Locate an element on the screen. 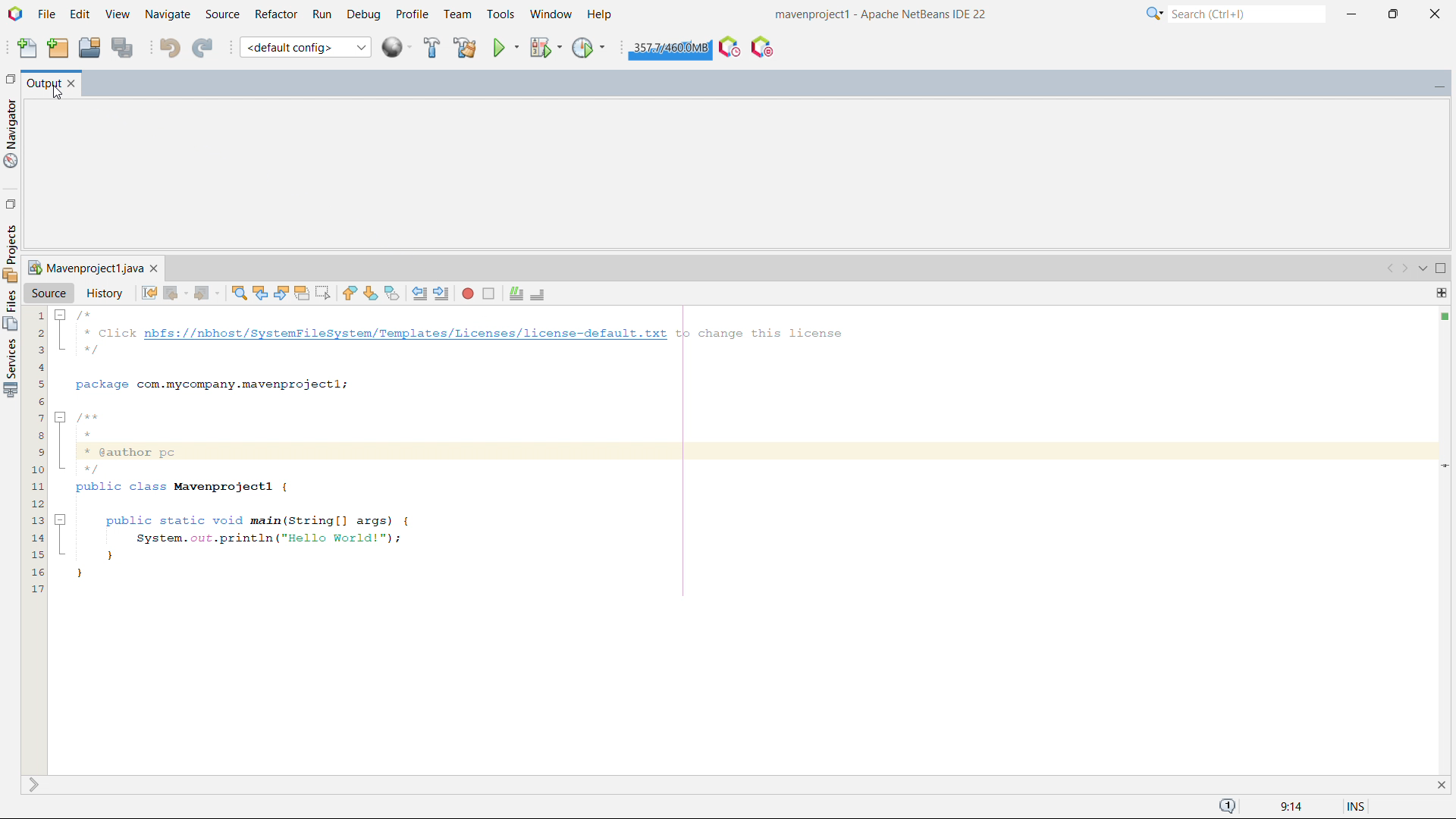 The image size is (1456, 819). uncomment is located at coordinates (538, 295).